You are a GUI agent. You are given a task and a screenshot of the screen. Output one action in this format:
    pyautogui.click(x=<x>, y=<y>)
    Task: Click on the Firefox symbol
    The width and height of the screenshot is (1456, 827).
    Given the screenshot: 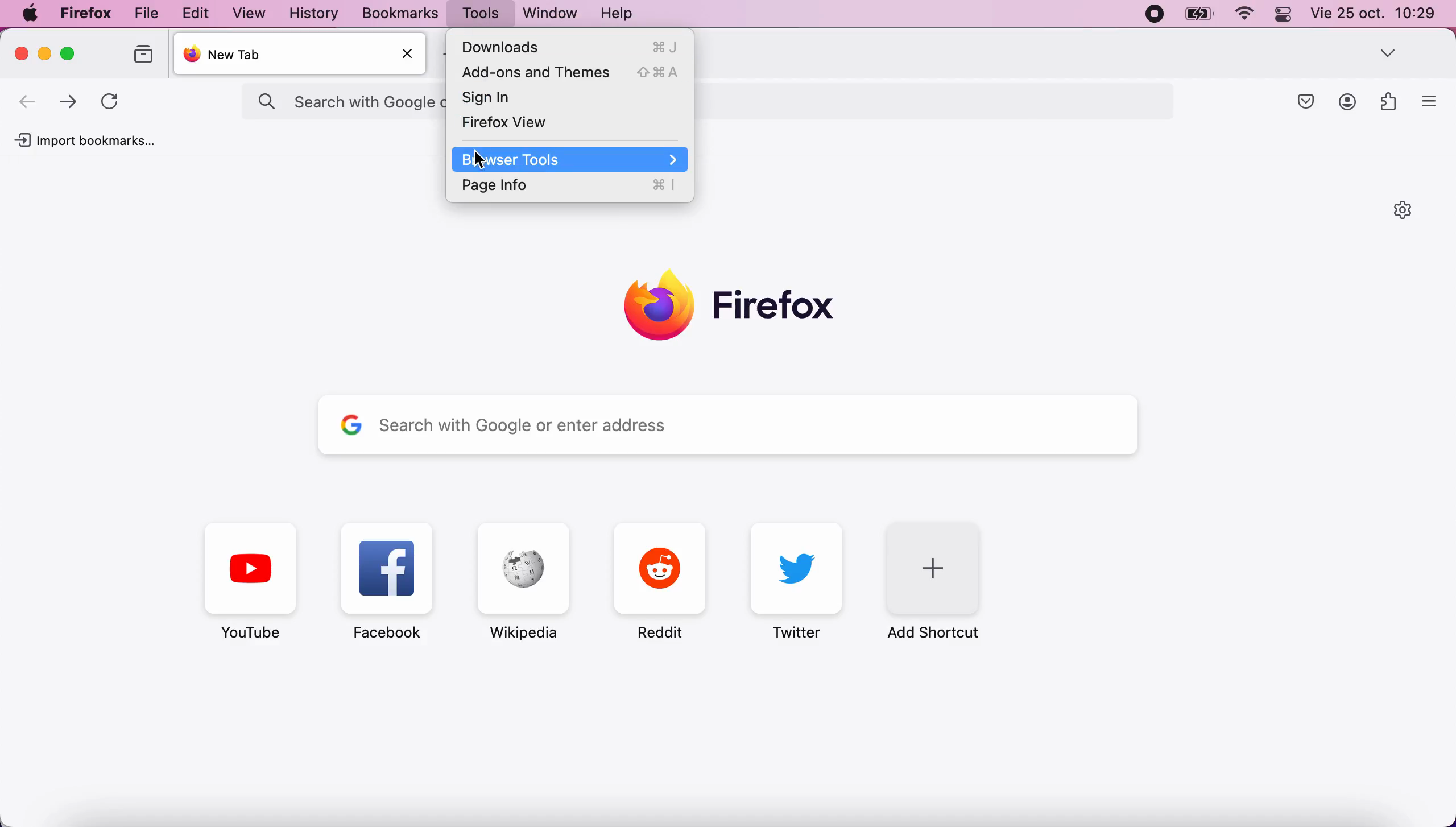 What is the action you would take?
    pyautogui.click(x=732, y=308)
    